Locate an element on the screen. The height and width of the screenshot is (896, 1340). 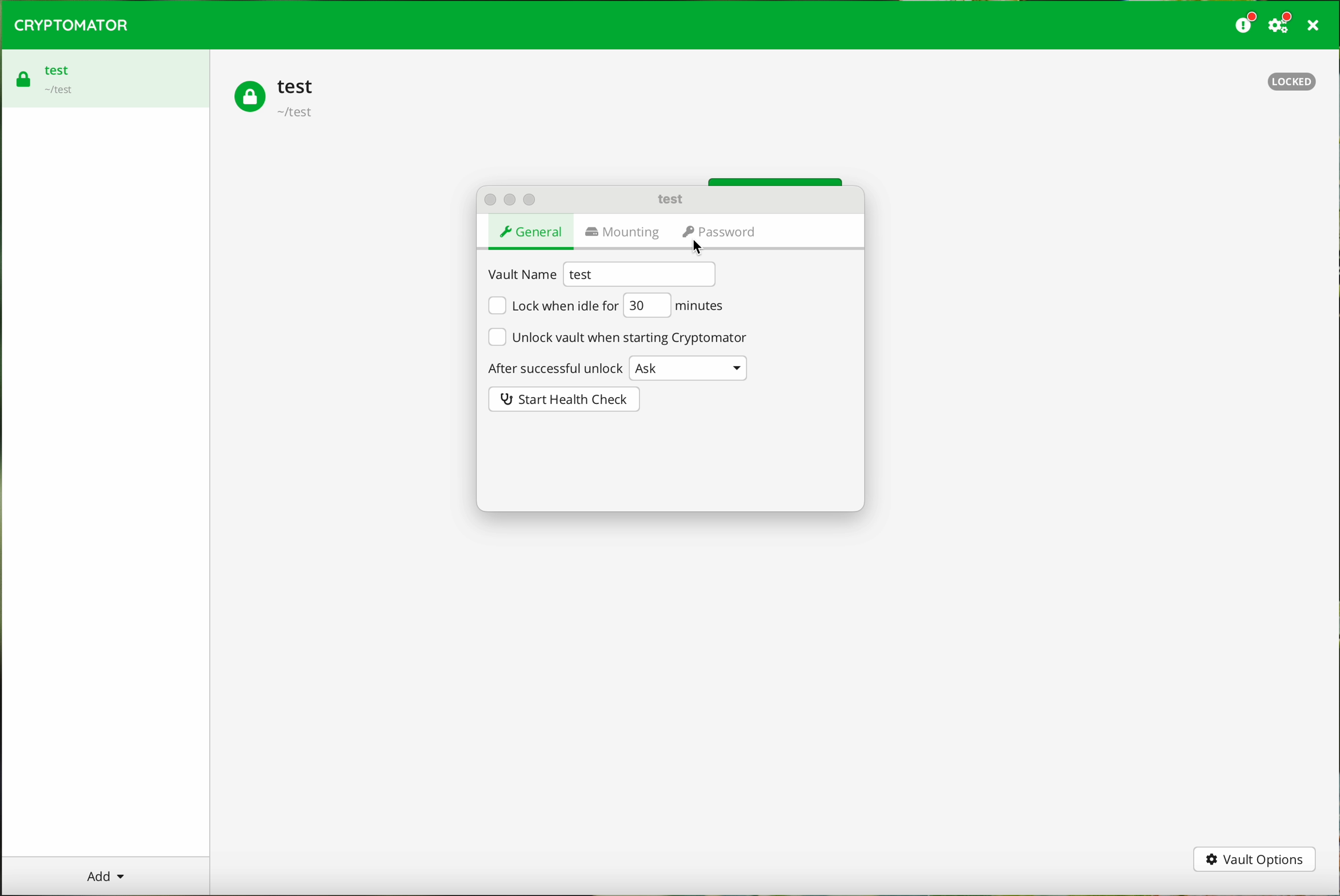
test vault is located at coordinates (278, 99).